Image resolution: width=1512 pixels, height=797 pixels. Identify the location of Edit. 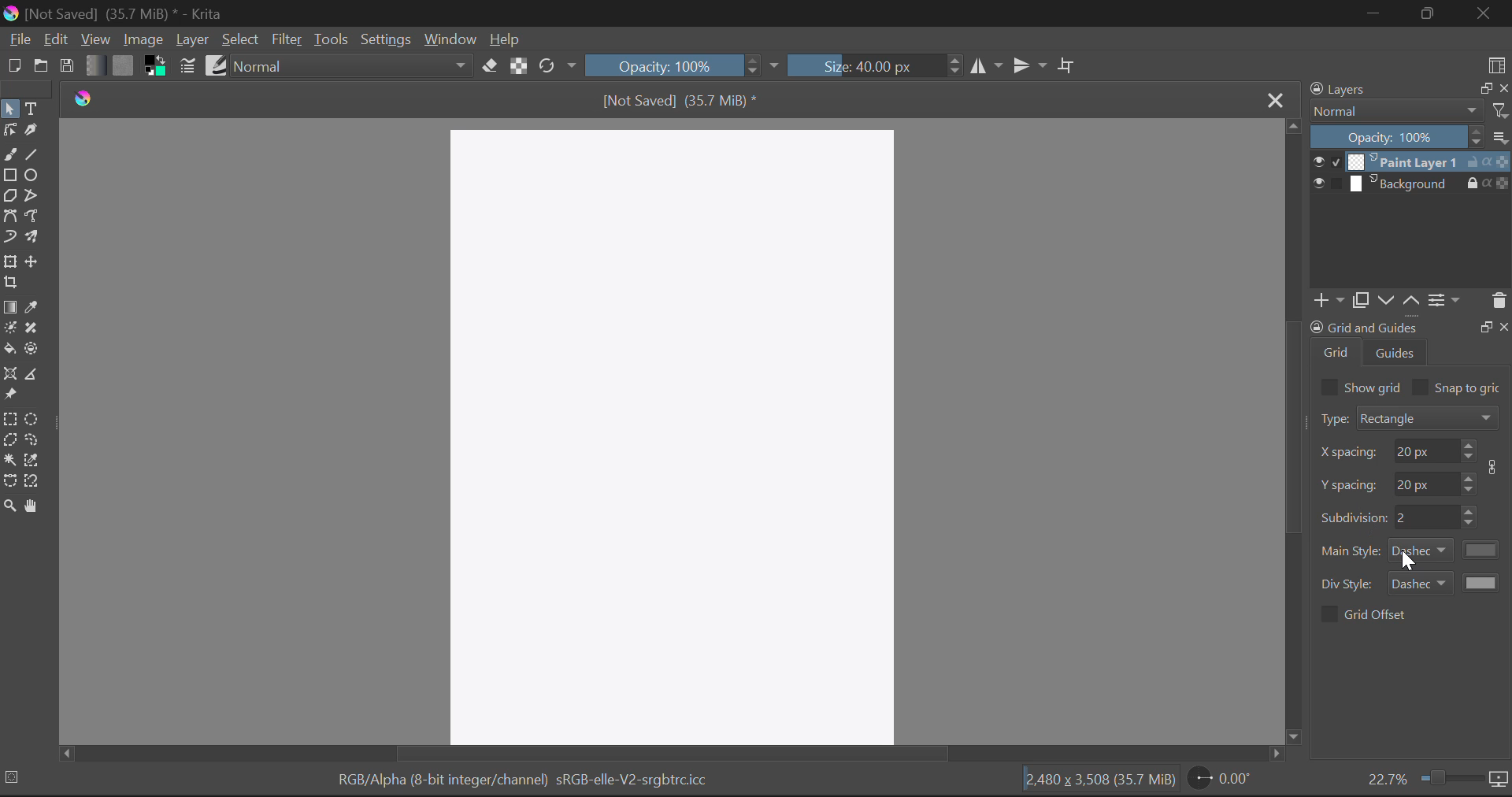
(55, 39).